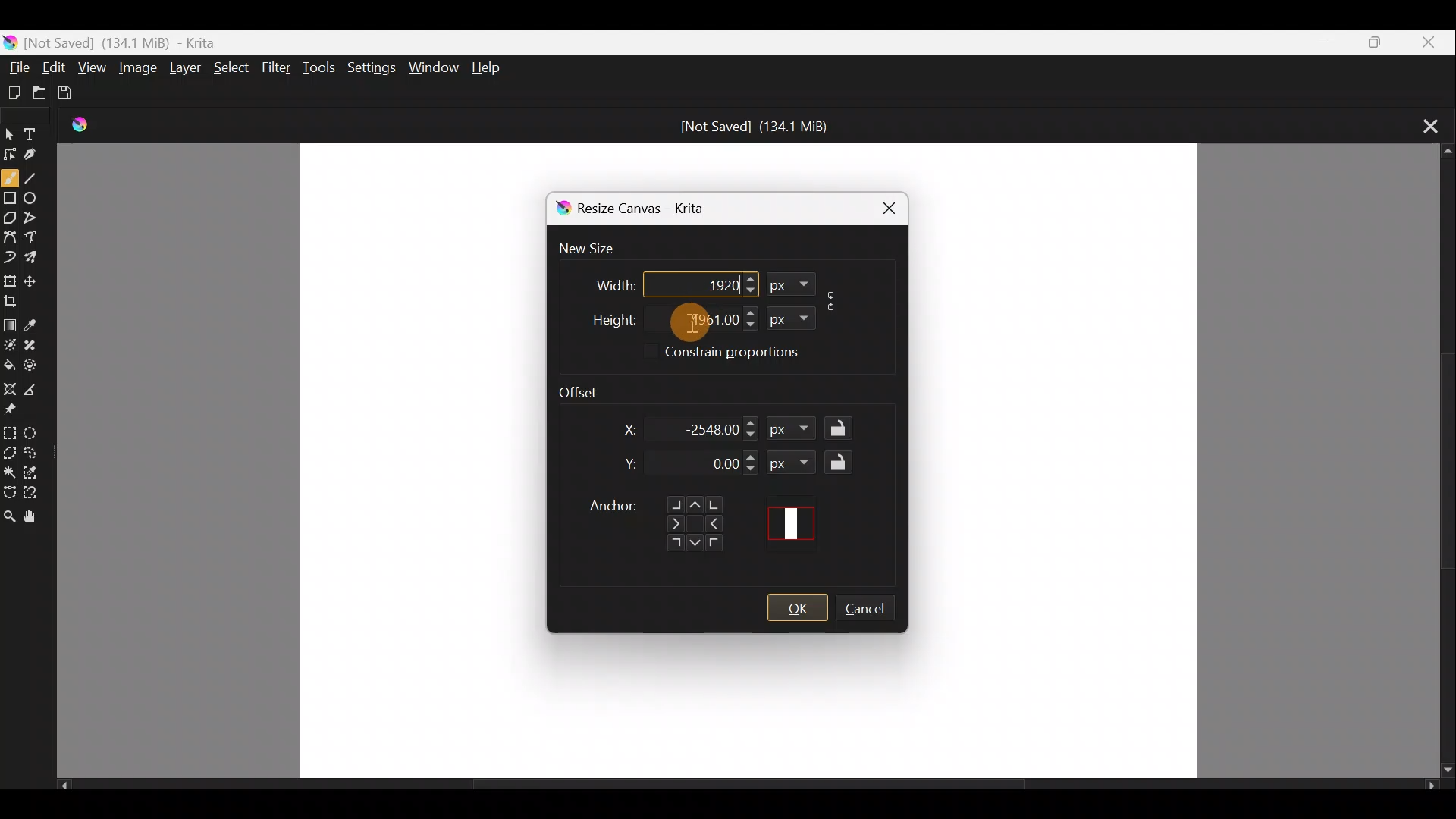 The image size is (1456, 819). Describe the element at coordinates (752, 469) in the screenshot. I see `Decrease Y dimension` at that location.